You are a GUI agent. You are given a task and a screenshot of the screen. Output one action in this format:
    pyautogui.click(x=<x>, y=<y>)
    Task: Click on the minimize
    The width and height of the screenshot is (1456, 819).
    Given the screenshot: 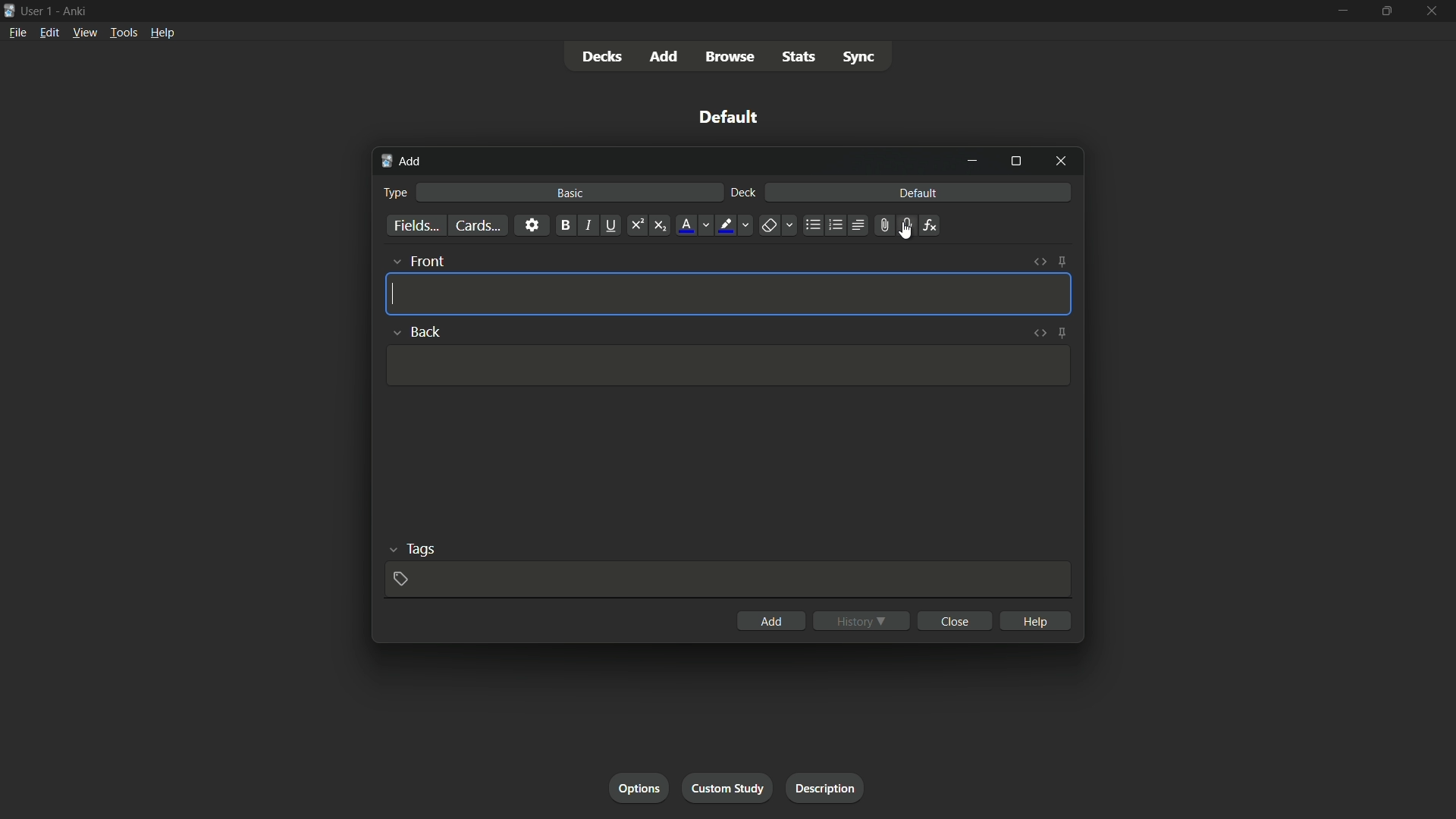 What is the action you would take?
    pyautogui.click(x=974, y=161)
    